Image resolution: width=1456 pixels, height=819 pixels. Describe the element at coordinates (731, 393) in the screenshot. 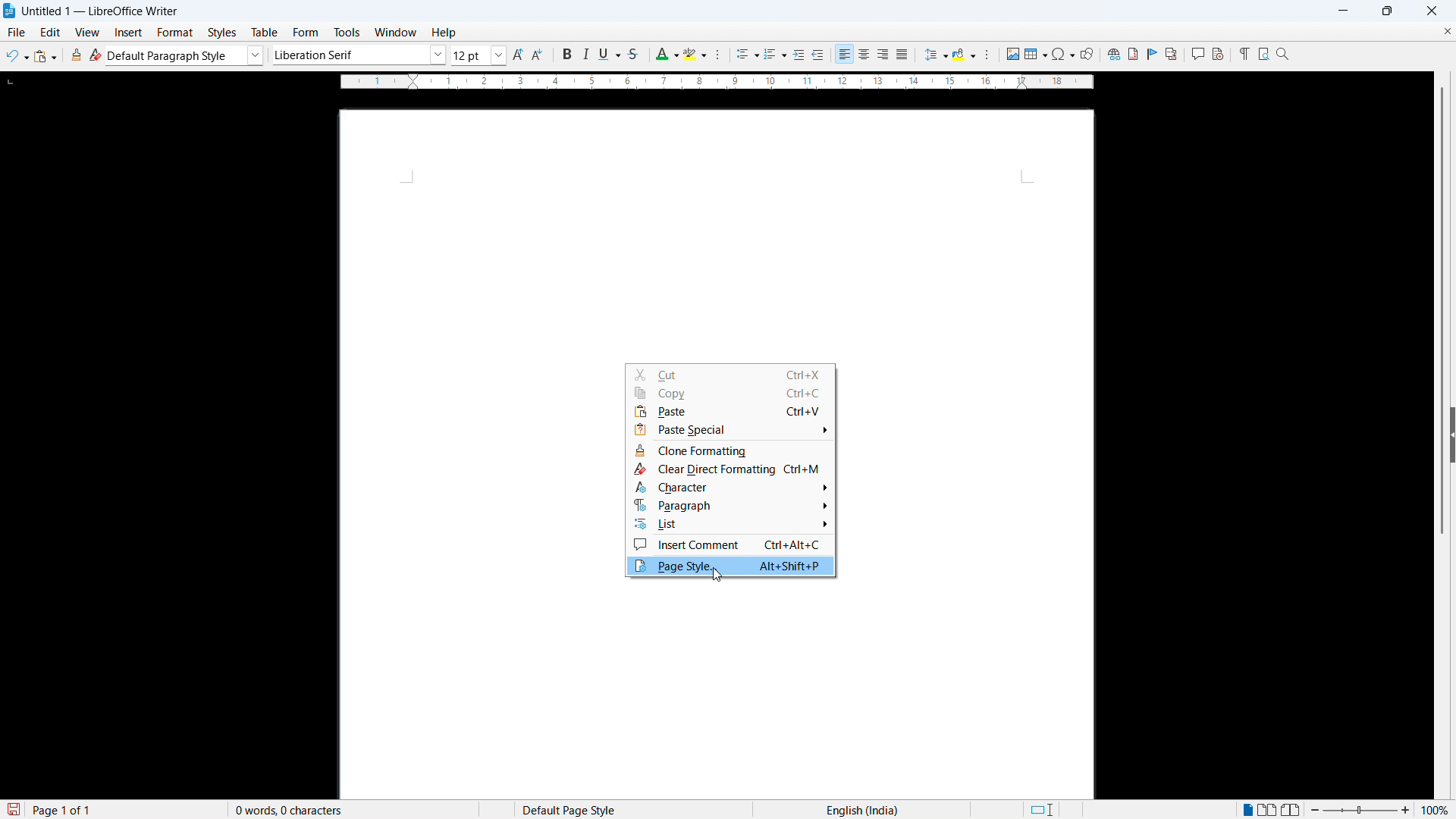

I see `copy ` at that location.